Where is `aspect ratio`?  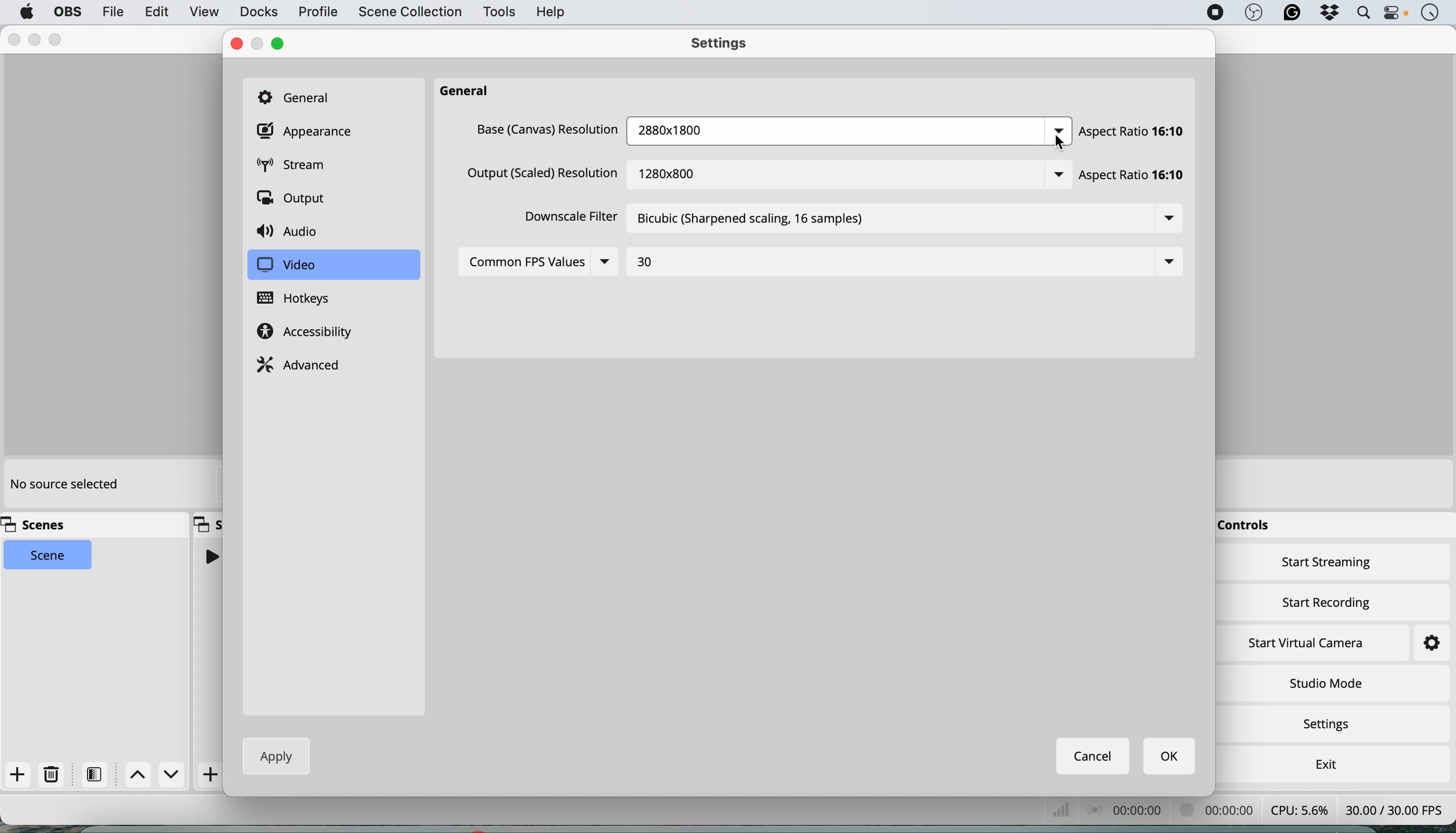 aspect ratio is located at coordinates (1136, 176).